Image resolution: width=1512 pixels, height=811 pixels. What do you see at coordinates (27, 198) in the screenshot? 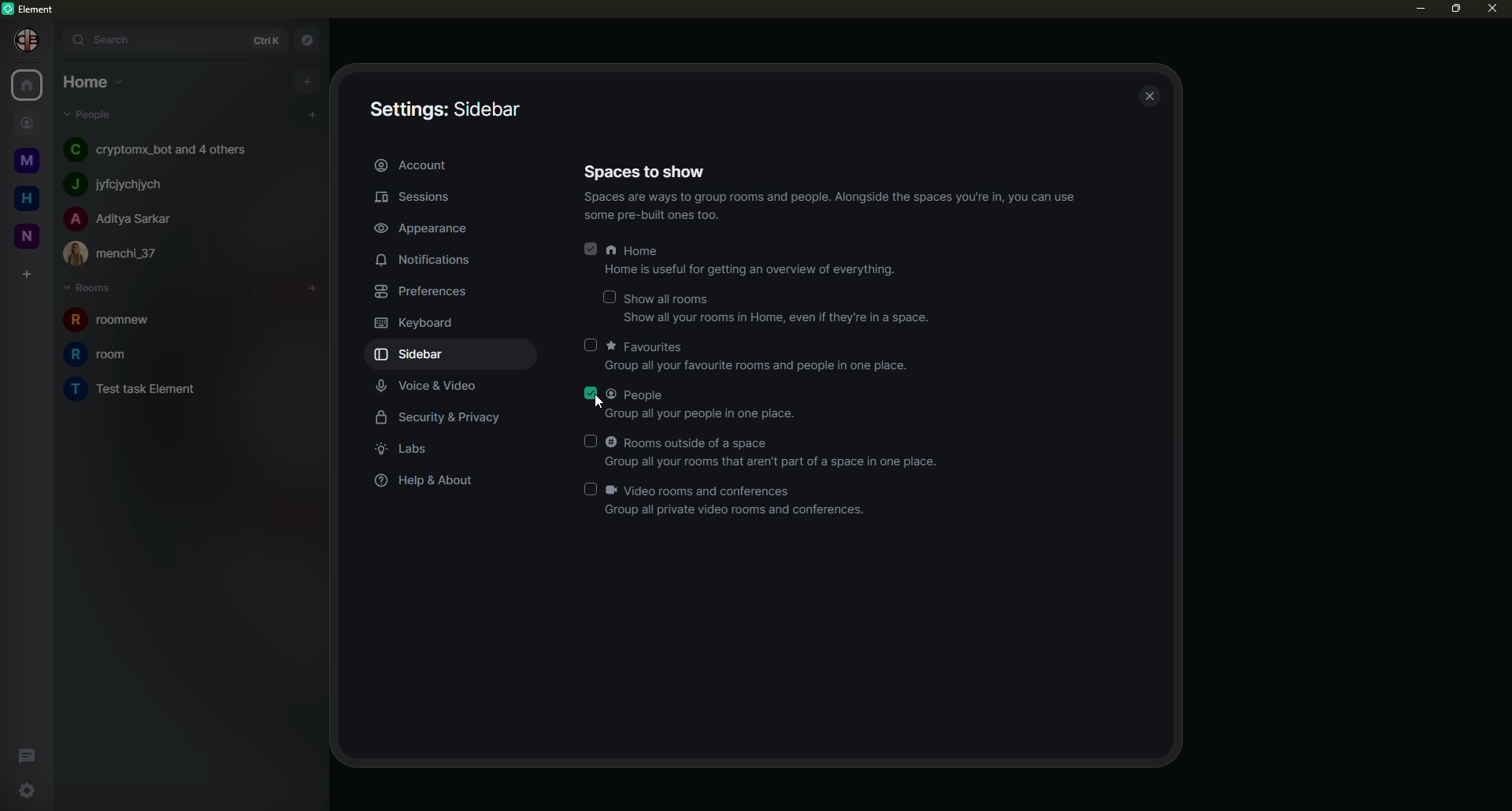
I see `home` at bounding box center [27, 198].